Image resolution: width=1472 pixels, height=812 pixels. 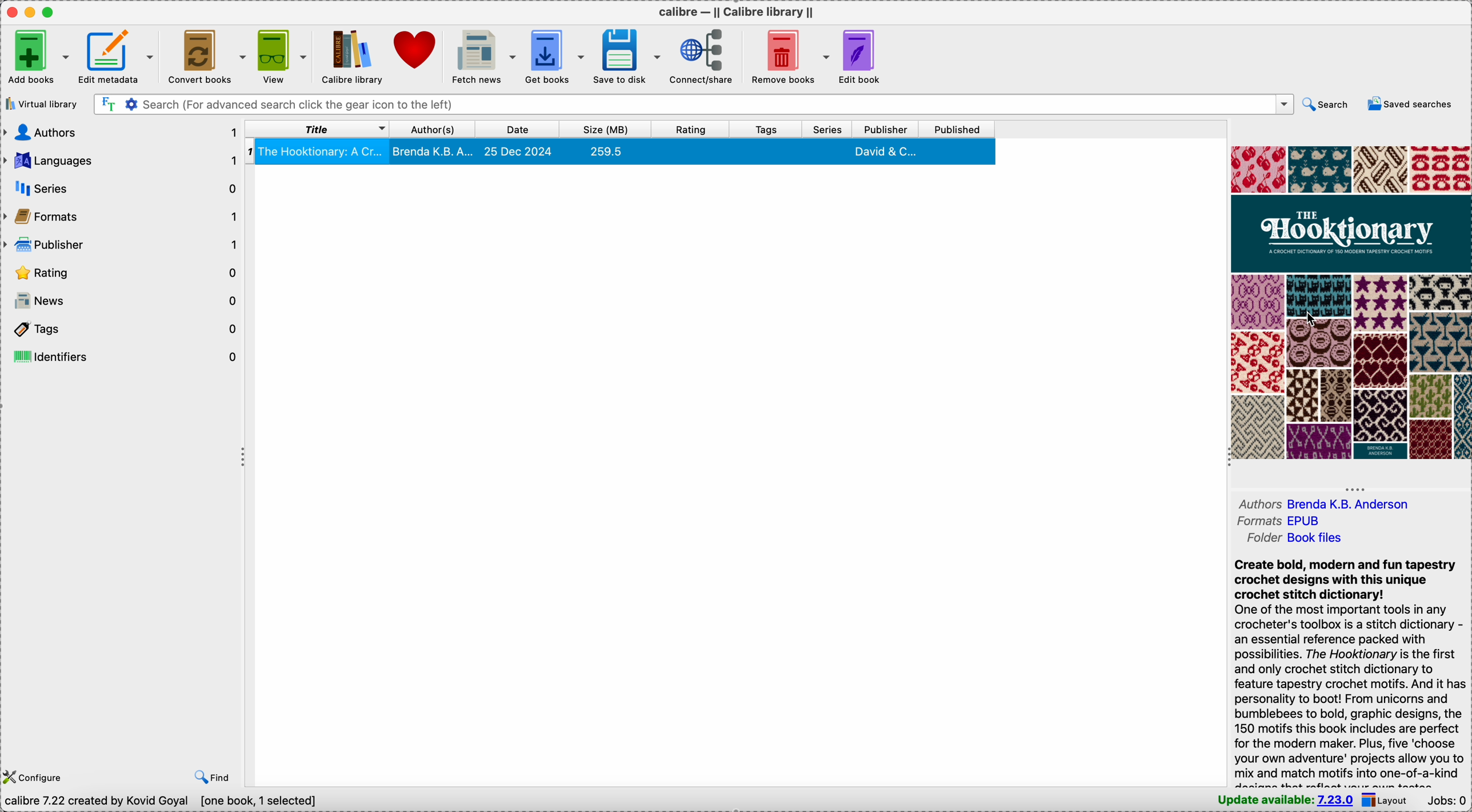 I want to click on edit book, so click(x=861, y=57).